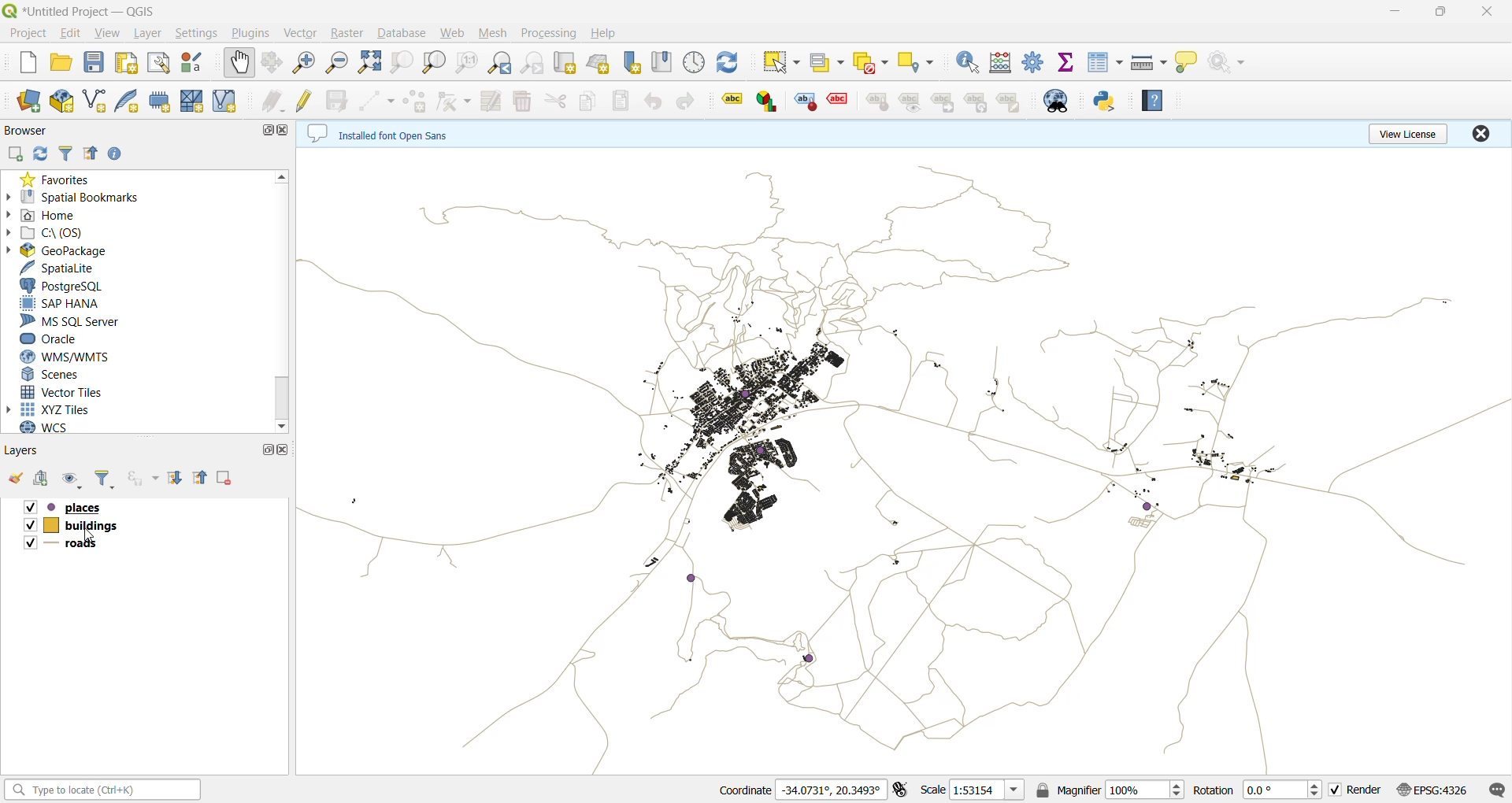  Describe the element at coordinates (109, 35) in the screenshot. I see `view` at that location.